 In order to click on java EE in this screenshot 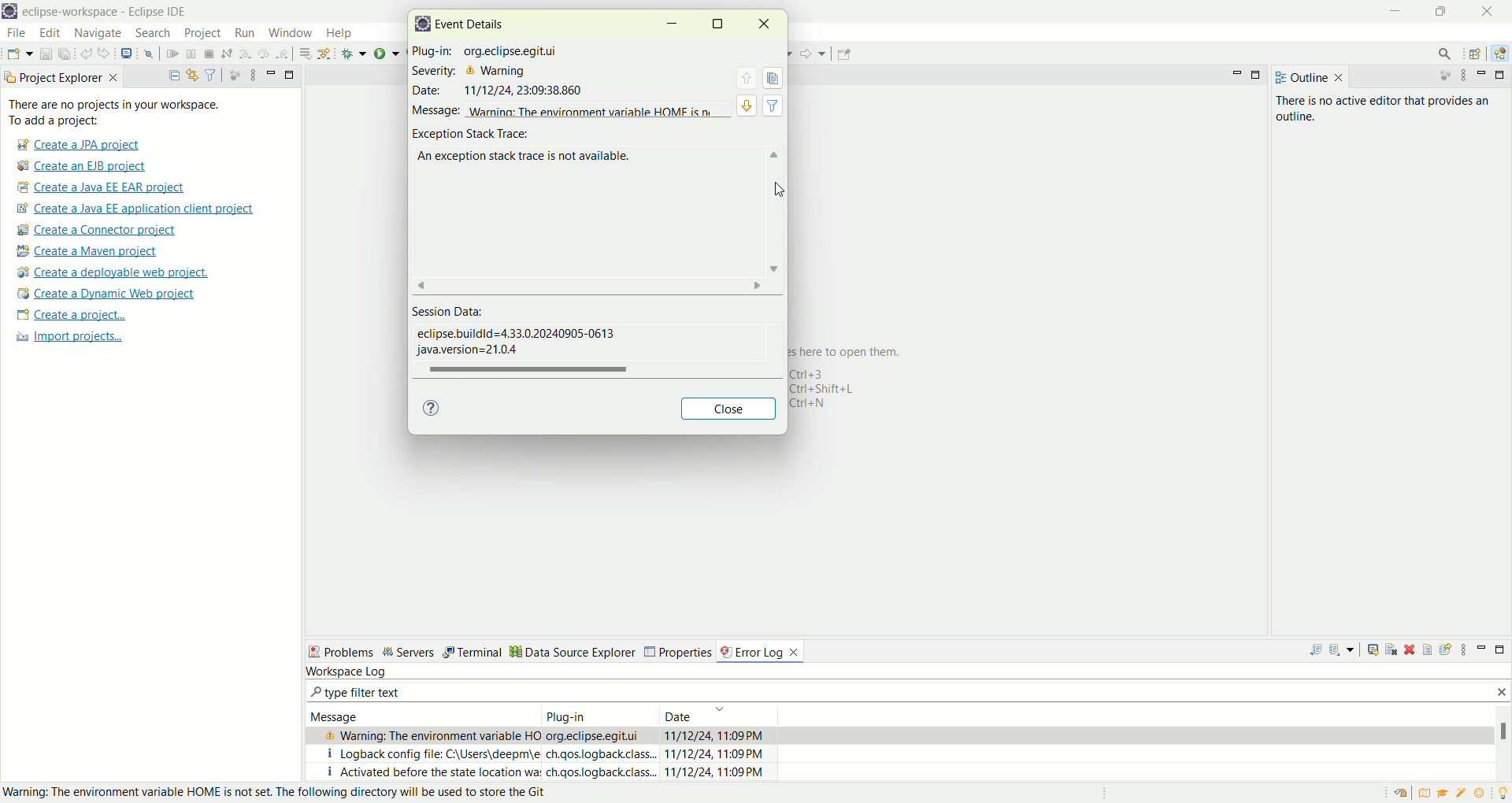, I will do `click(1499, 50)`.